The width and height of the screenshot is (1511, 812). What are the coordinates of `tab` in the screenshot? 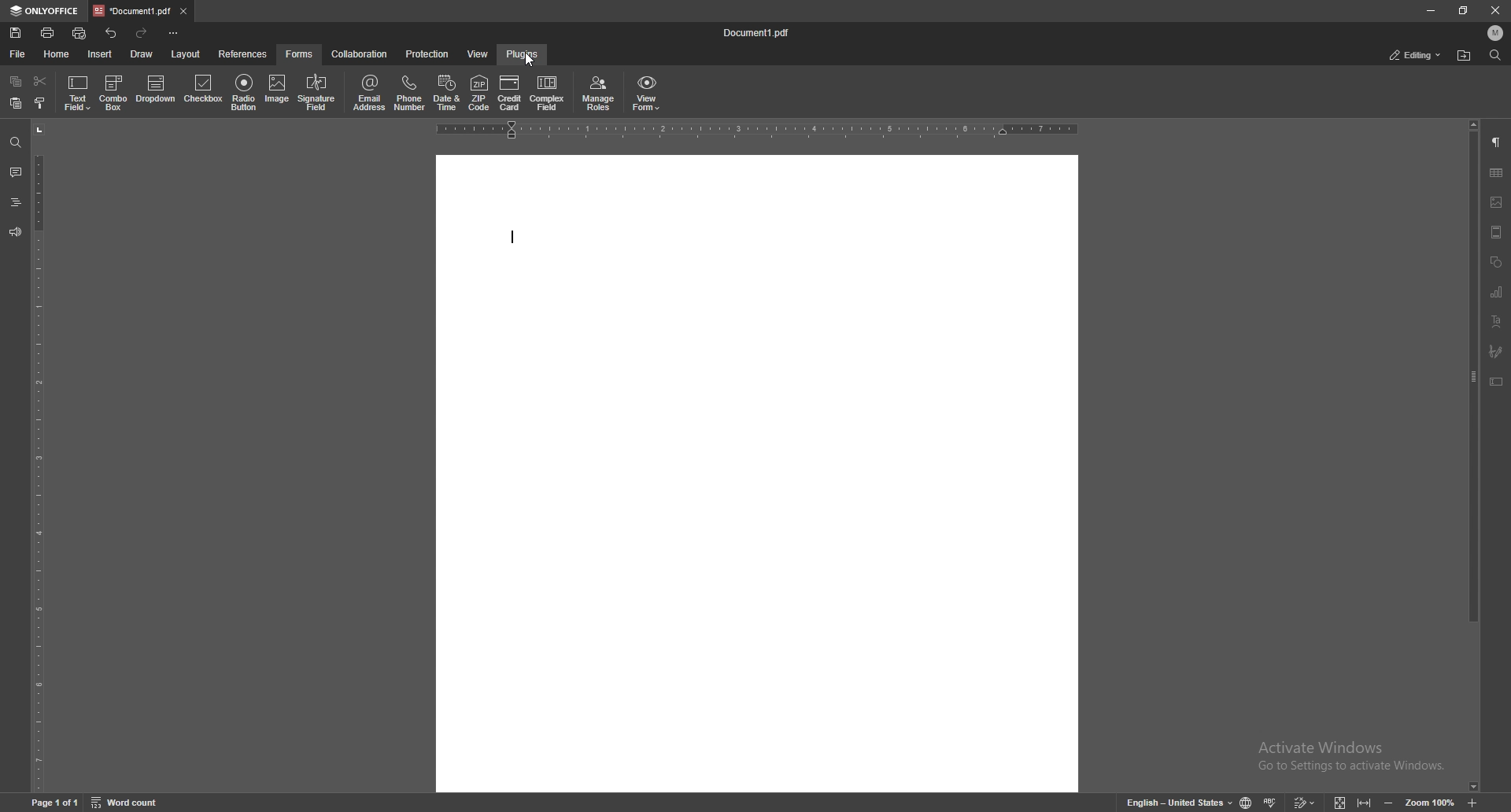 It's located at (131, 13).